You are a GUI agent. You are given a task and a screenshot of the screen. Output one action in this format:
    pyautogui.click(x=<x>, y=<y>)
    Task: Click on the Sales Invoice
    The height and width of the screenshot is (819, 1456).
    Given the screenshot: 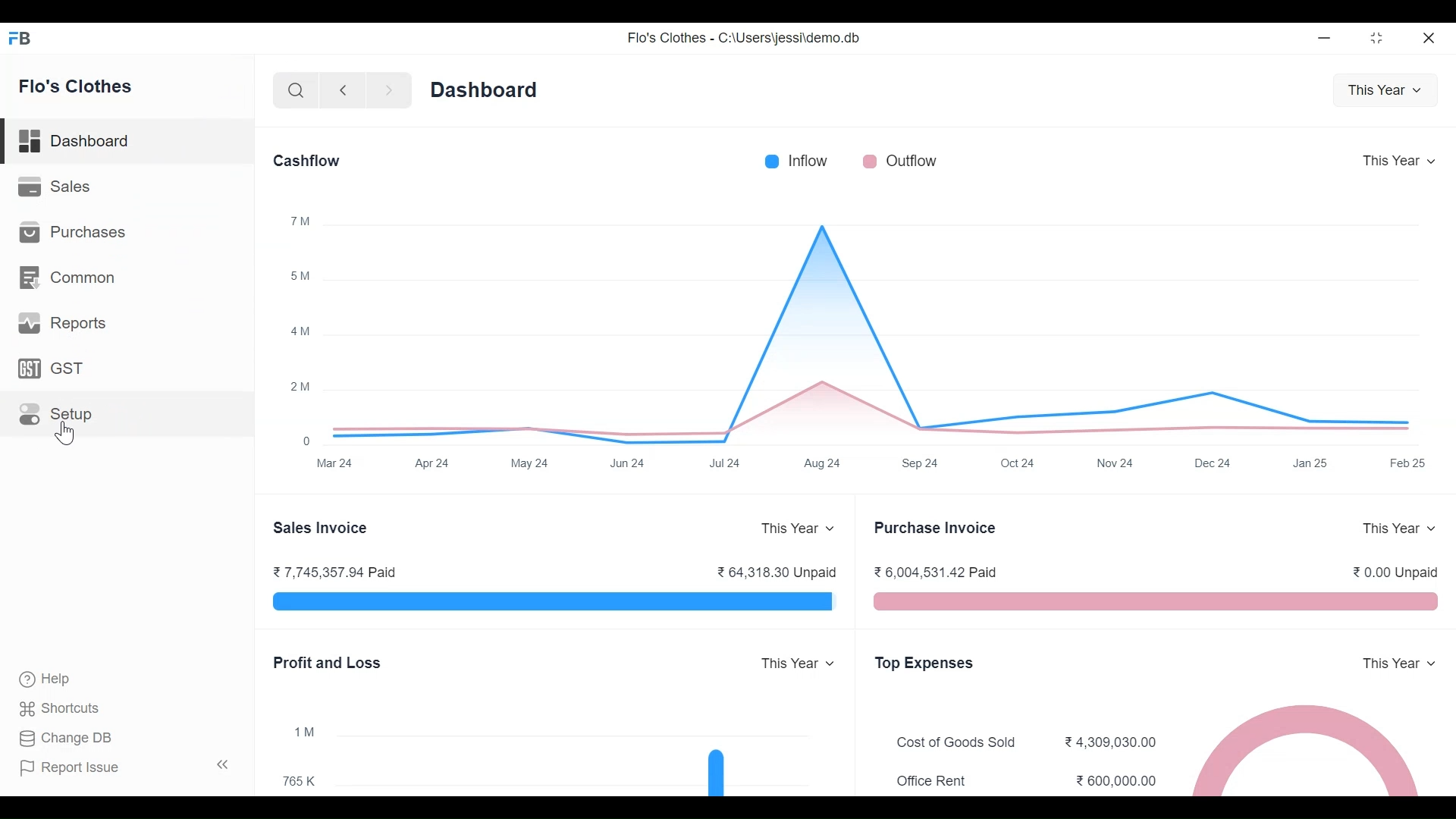 What is the action you would take?
    pyautogui.click(x=320, y=528)
    